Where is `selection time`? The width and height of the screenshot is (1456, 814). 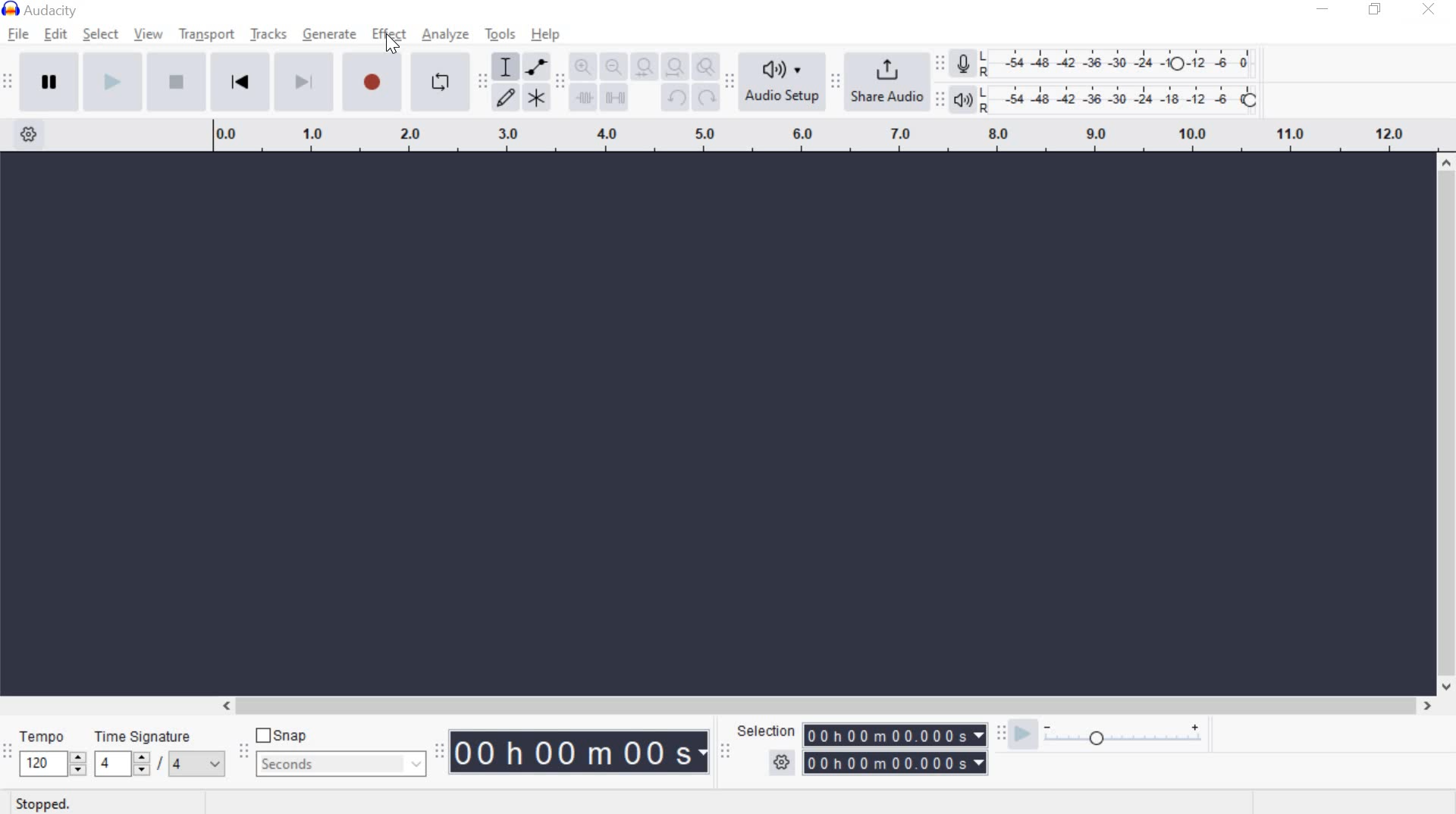 selection time is located at coordinates (897, 763).